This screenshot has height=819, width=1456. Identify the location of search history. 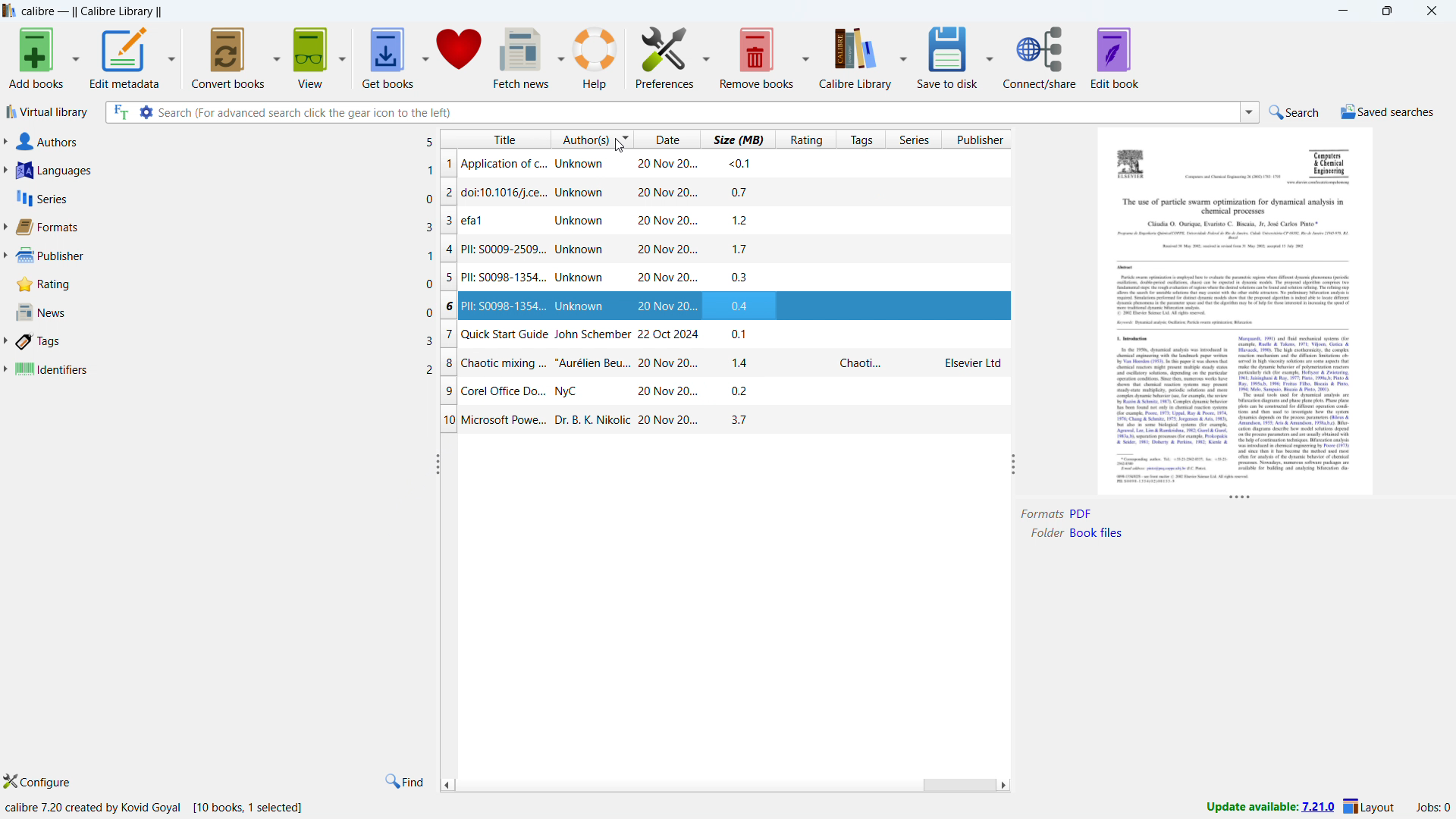
(1250, 112).